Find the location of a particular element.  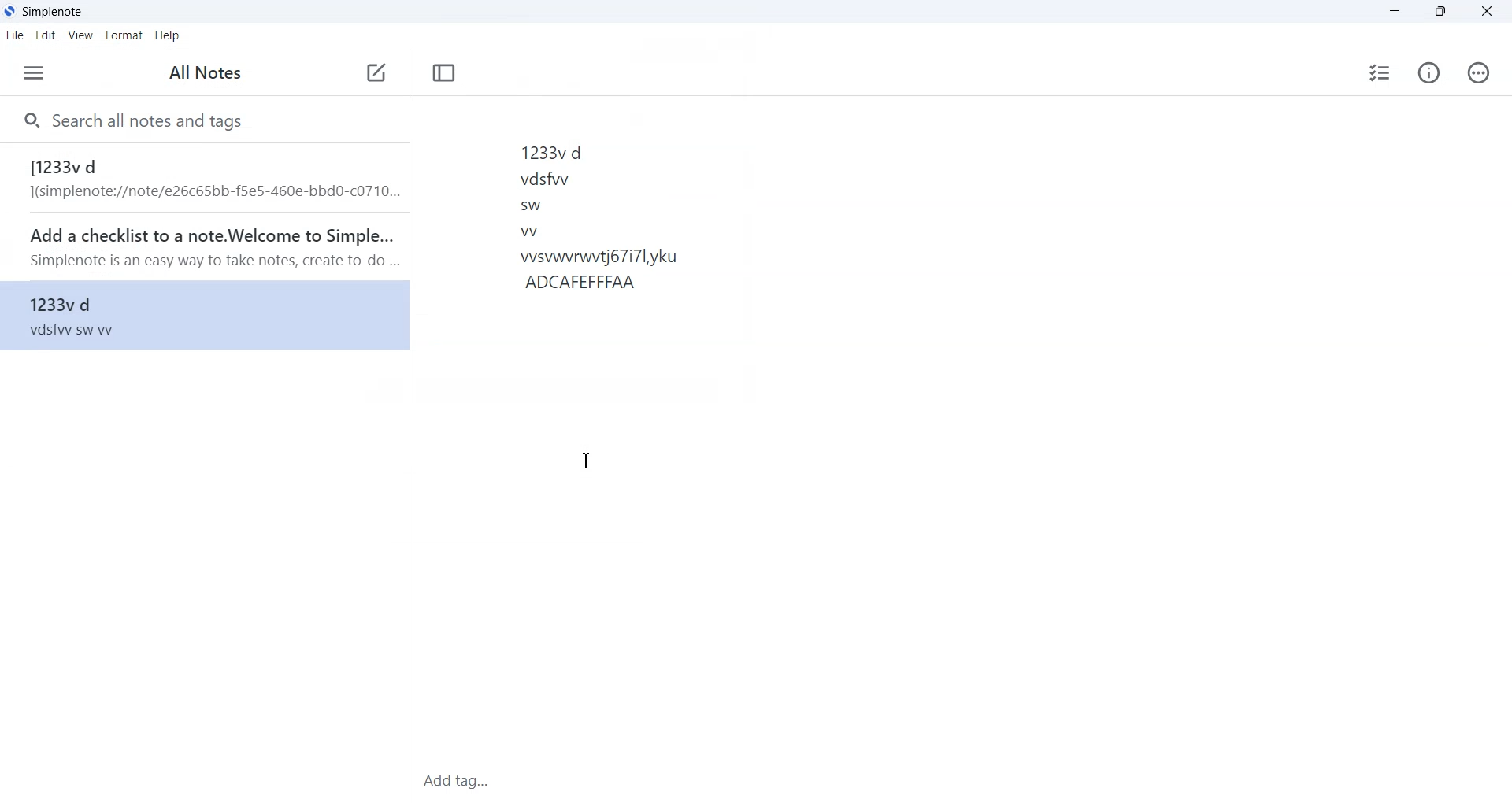

File is located at coordinates (15, 35).